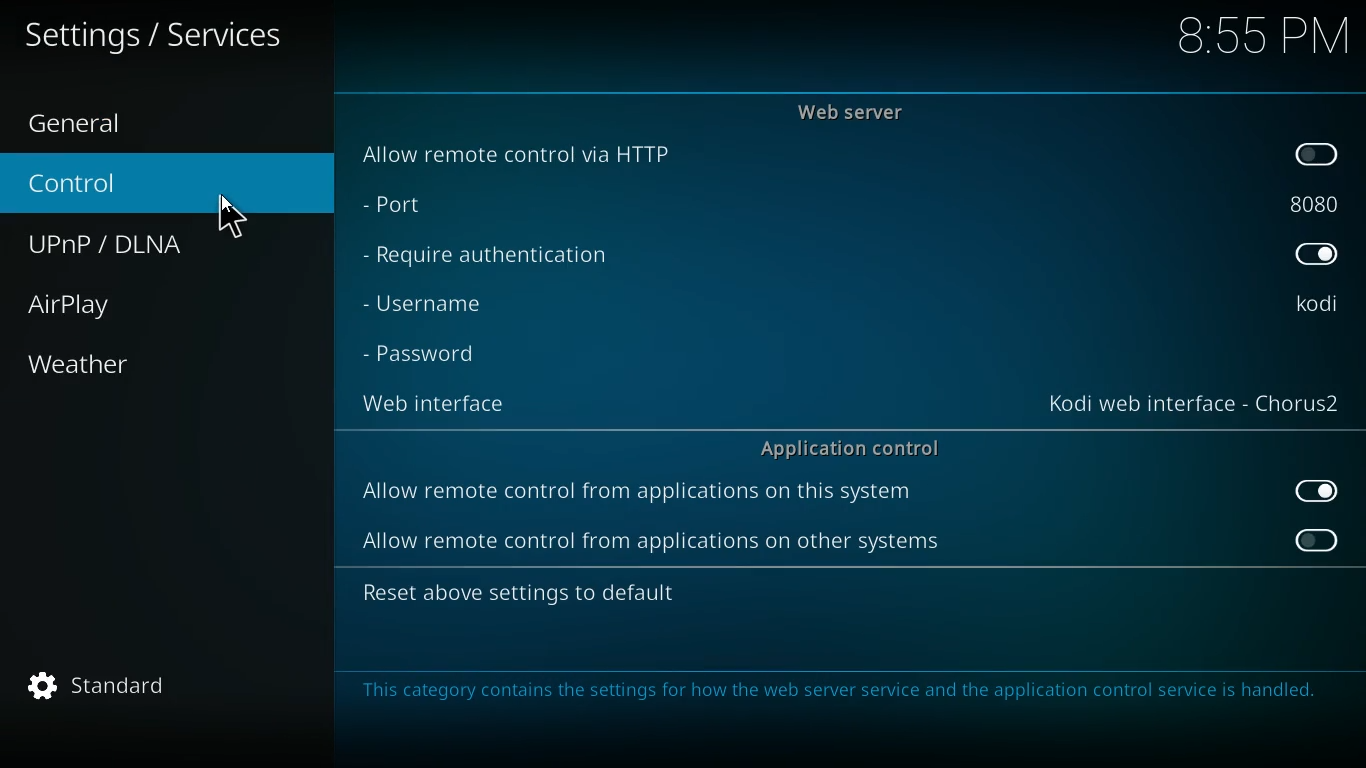 This screenshot has height=768, width=1366. What do you see at coordinates (639, 494) in the screenshot?
I see `allow remote control` at bounding box center [639, 494].